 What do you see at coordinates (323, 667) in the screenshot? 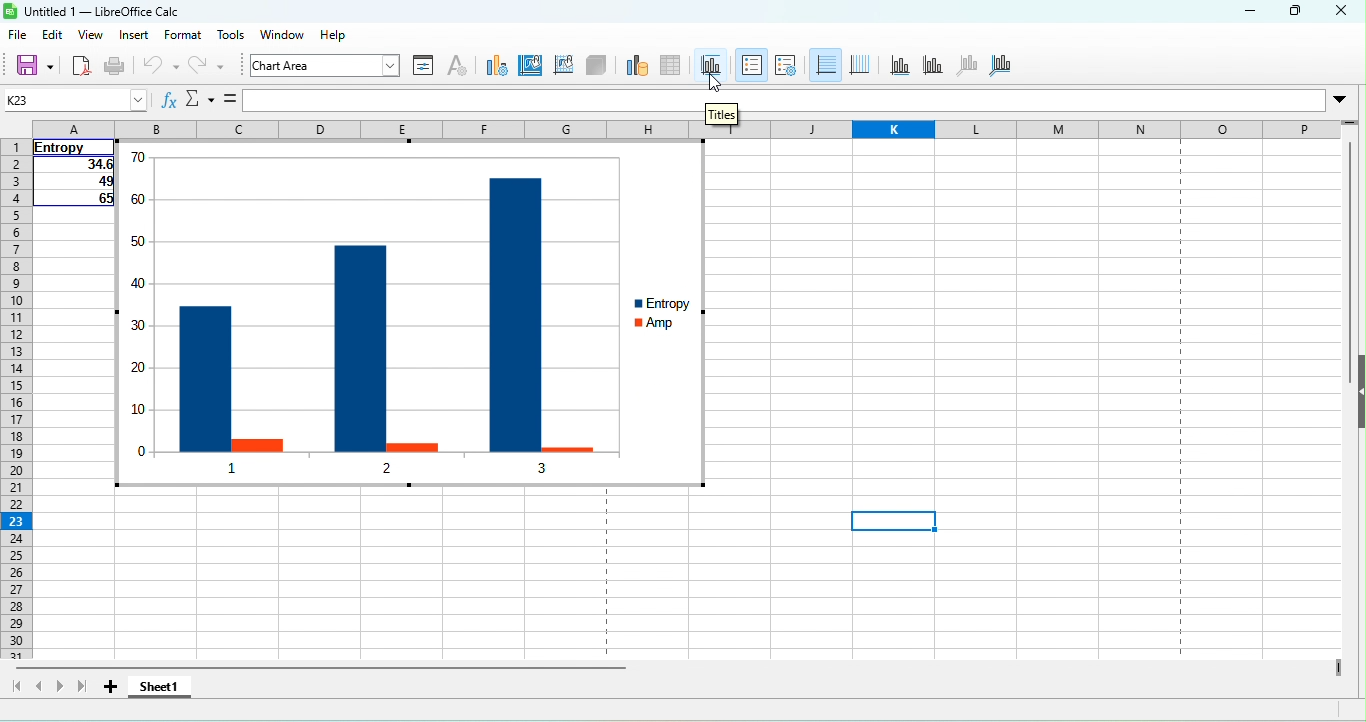
I see `horizontal scroll bar` at bounding box center [323, 667].